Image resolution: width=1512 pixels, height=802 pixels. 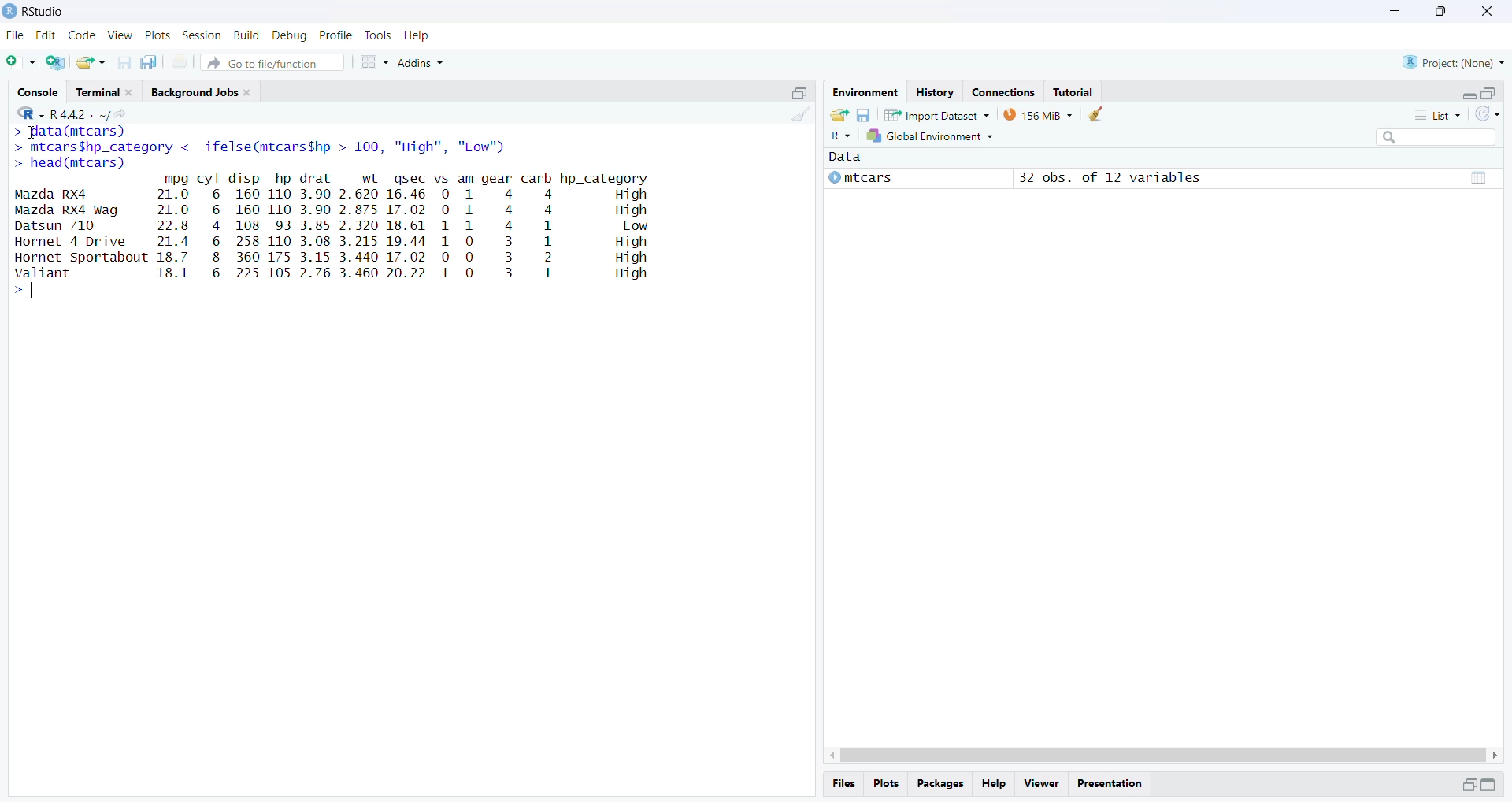 What do you see at coordinates (1038, 114) in the screenshot?
I see `135 MiB` at bounding box center [1038, 114].